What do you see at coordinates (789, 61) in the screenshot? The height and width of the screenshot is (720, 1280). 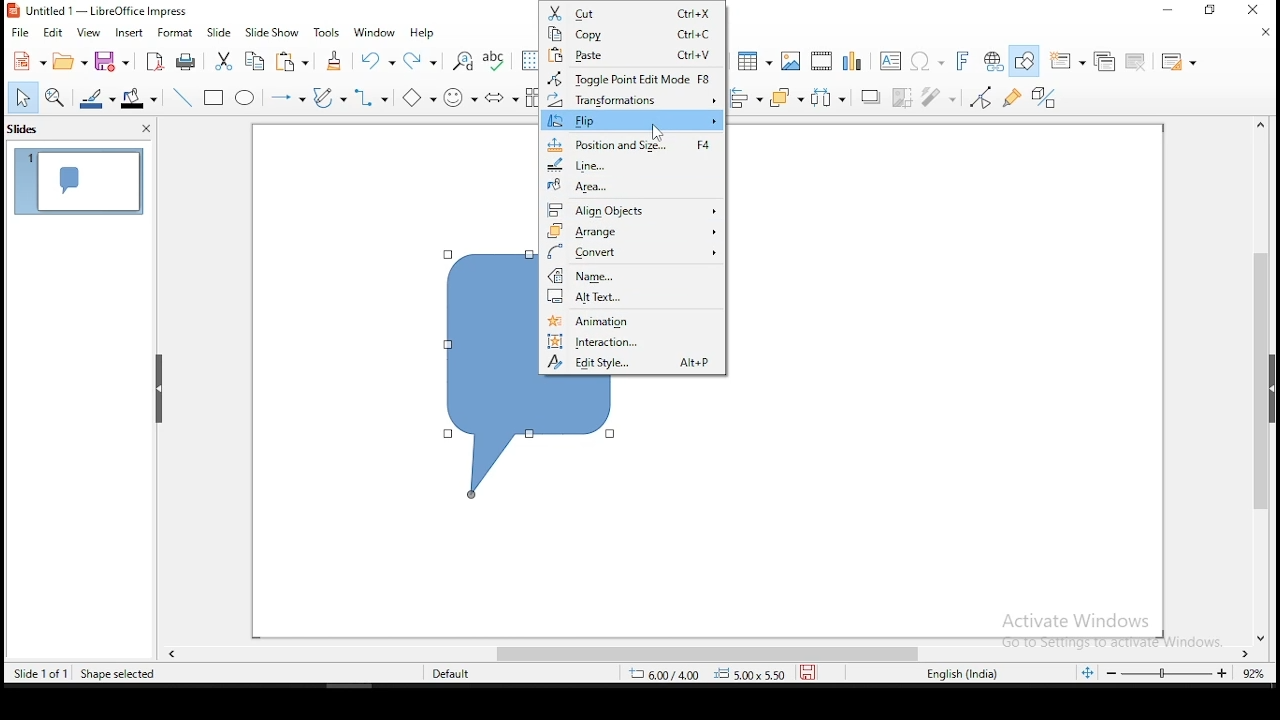 I see `image` at bounding box center [789, 61].